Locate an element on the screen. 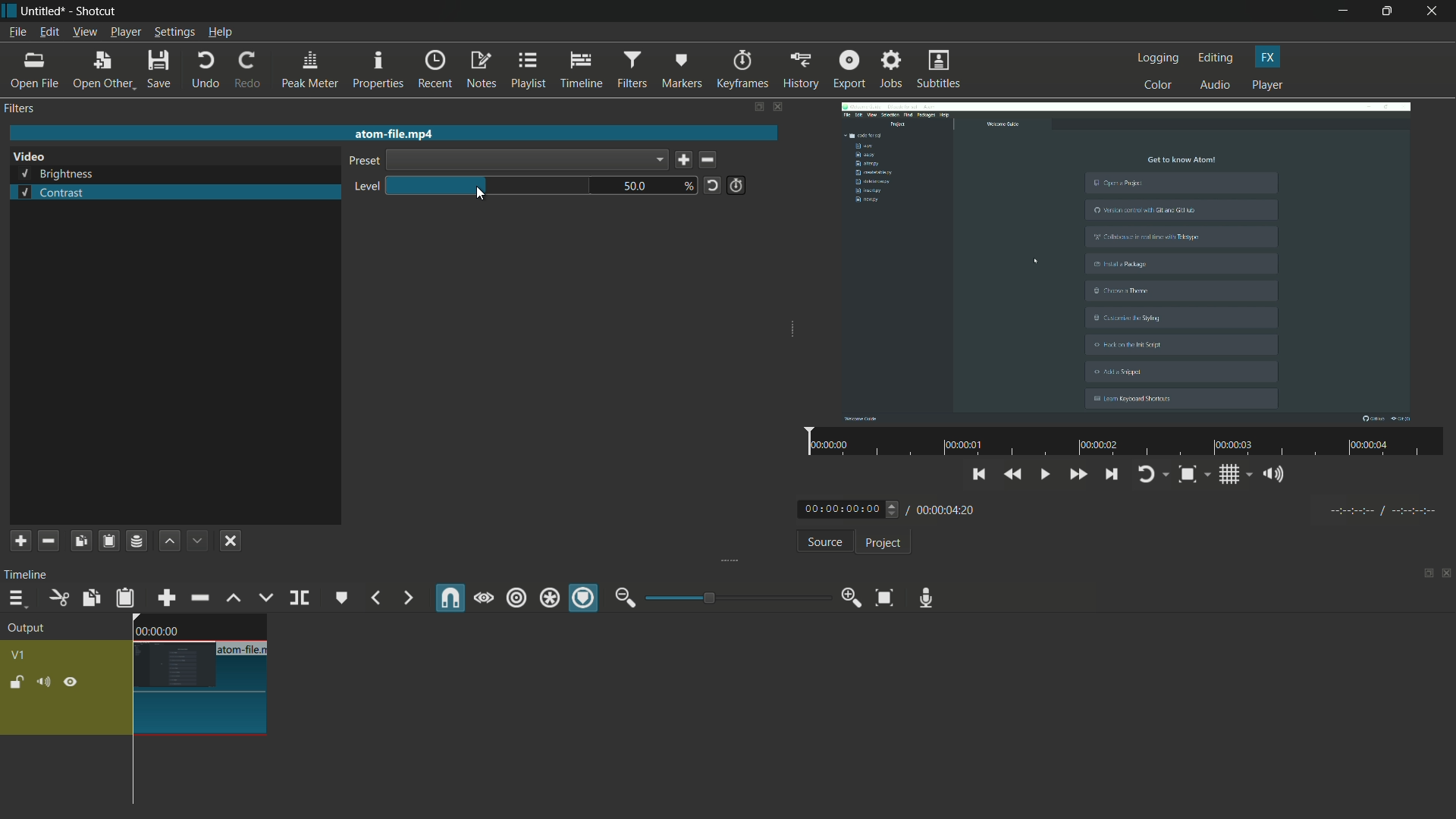  lock track is located at coordinates (19, 682).